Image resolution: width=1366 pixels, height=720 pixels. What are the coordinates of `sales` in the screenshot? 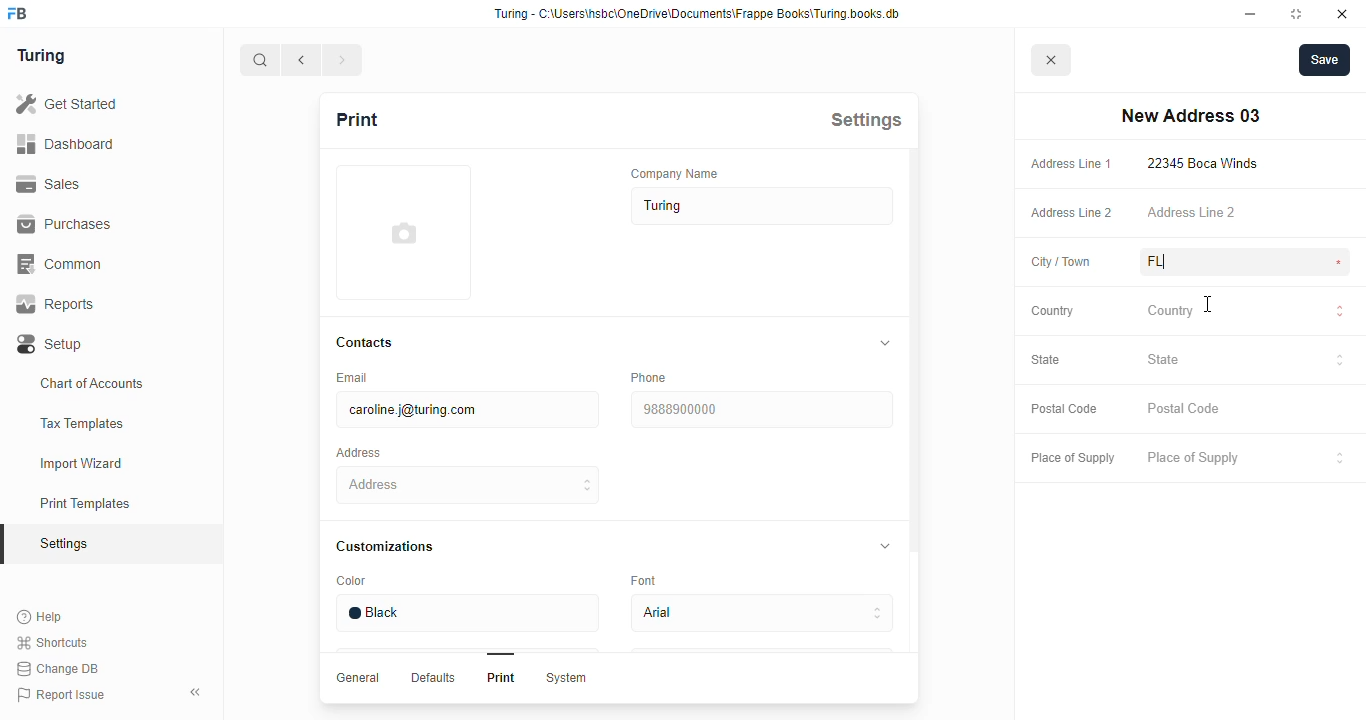 It's located at (52, 184).